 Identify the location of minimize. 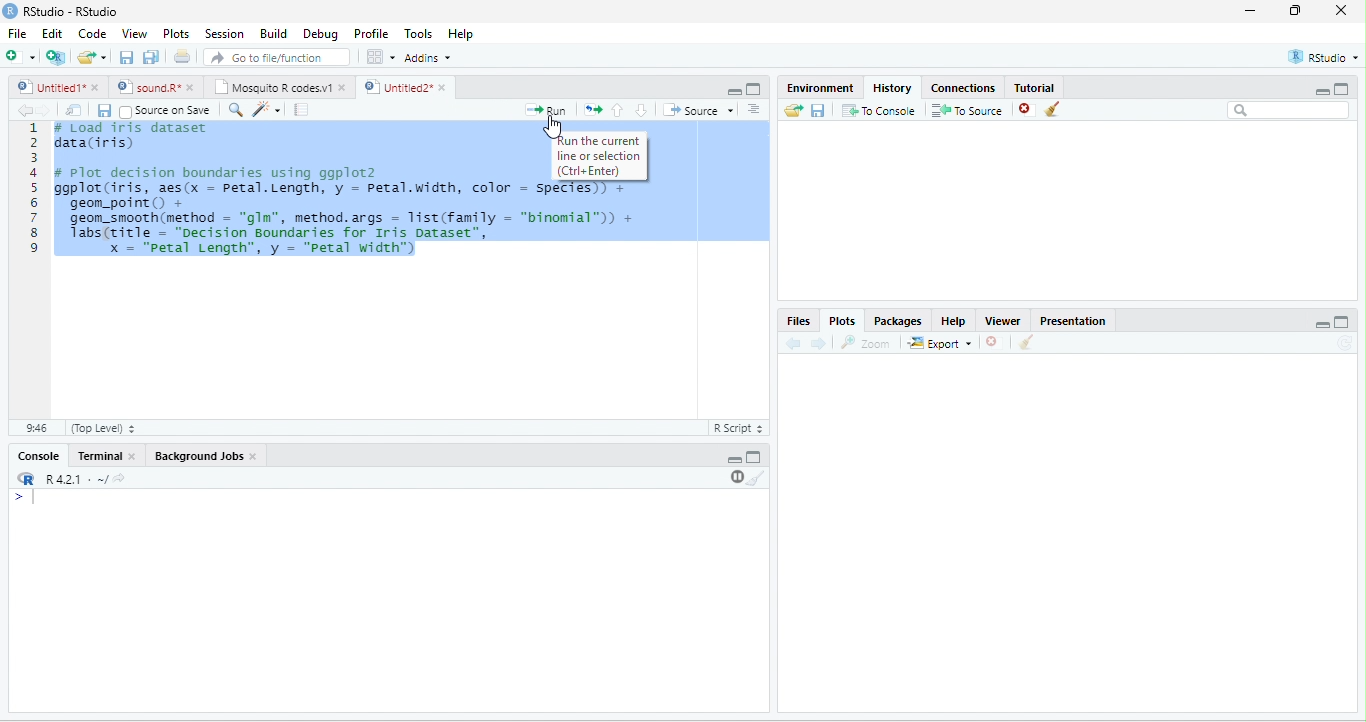
(735, 460).